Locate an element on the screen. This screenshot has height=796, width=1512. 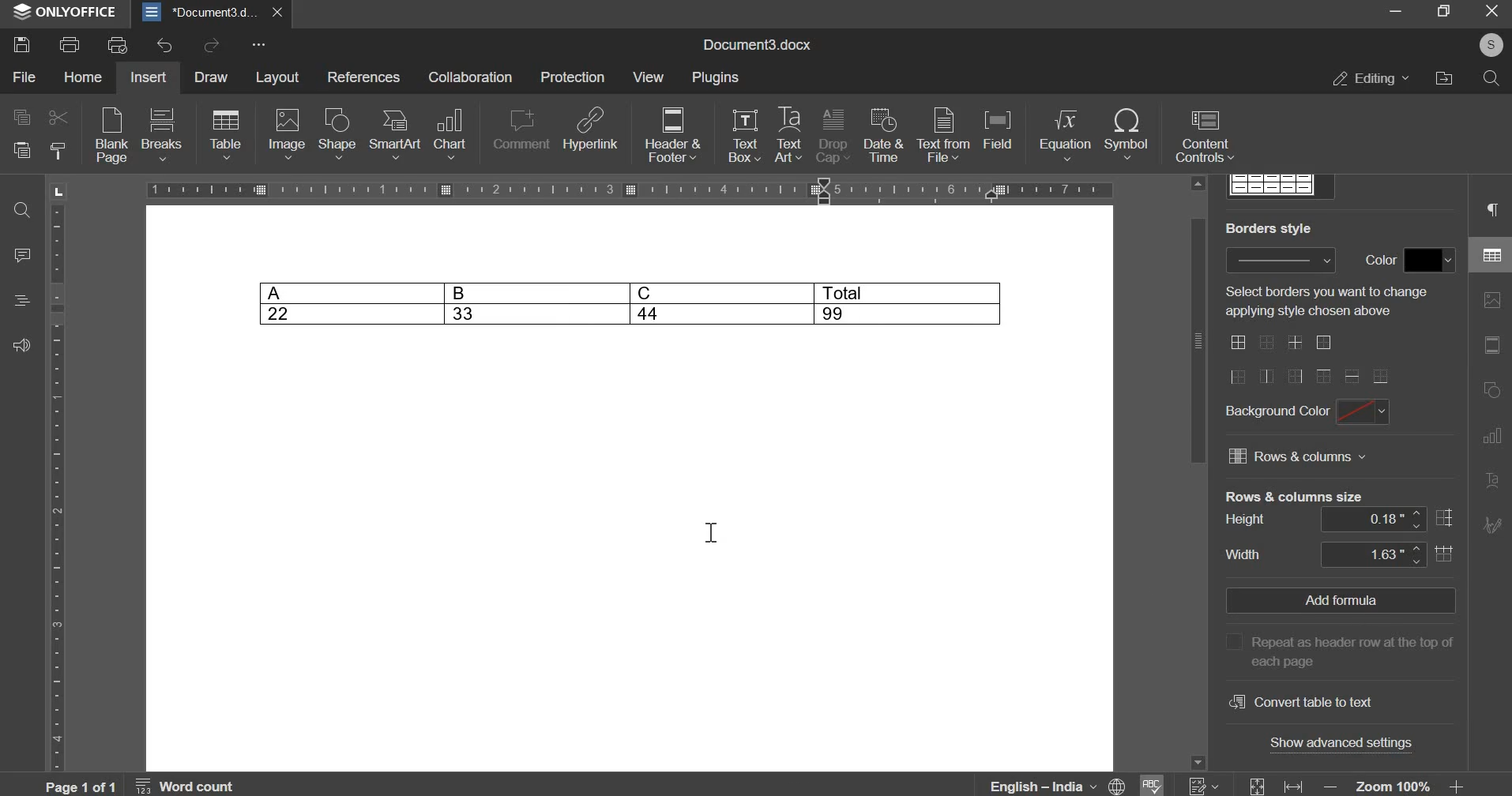
Ruler is located at coordinates (629, 190).